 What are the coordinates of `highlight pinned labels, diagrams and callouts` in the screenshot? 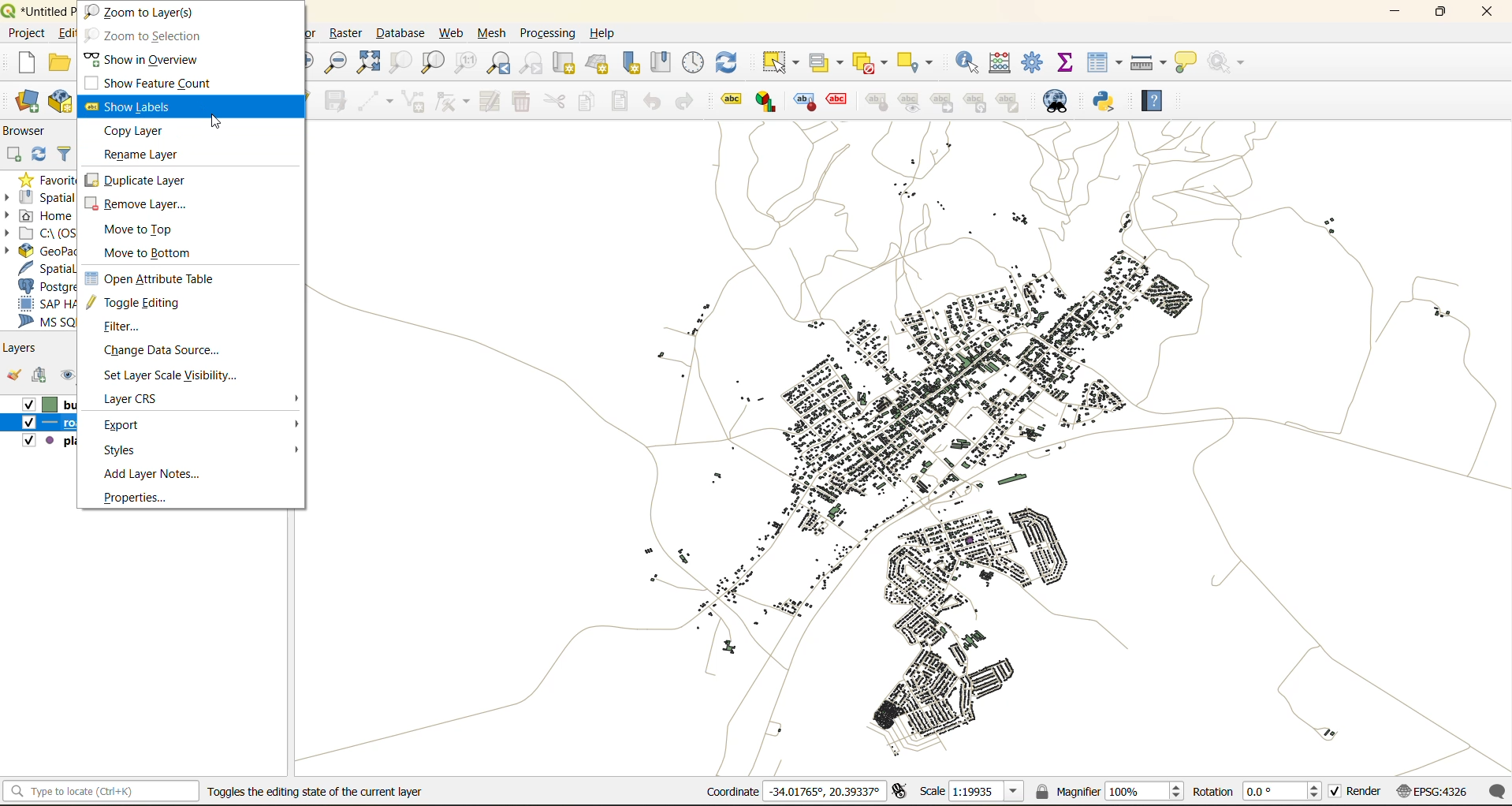 It's located at (807, 103).